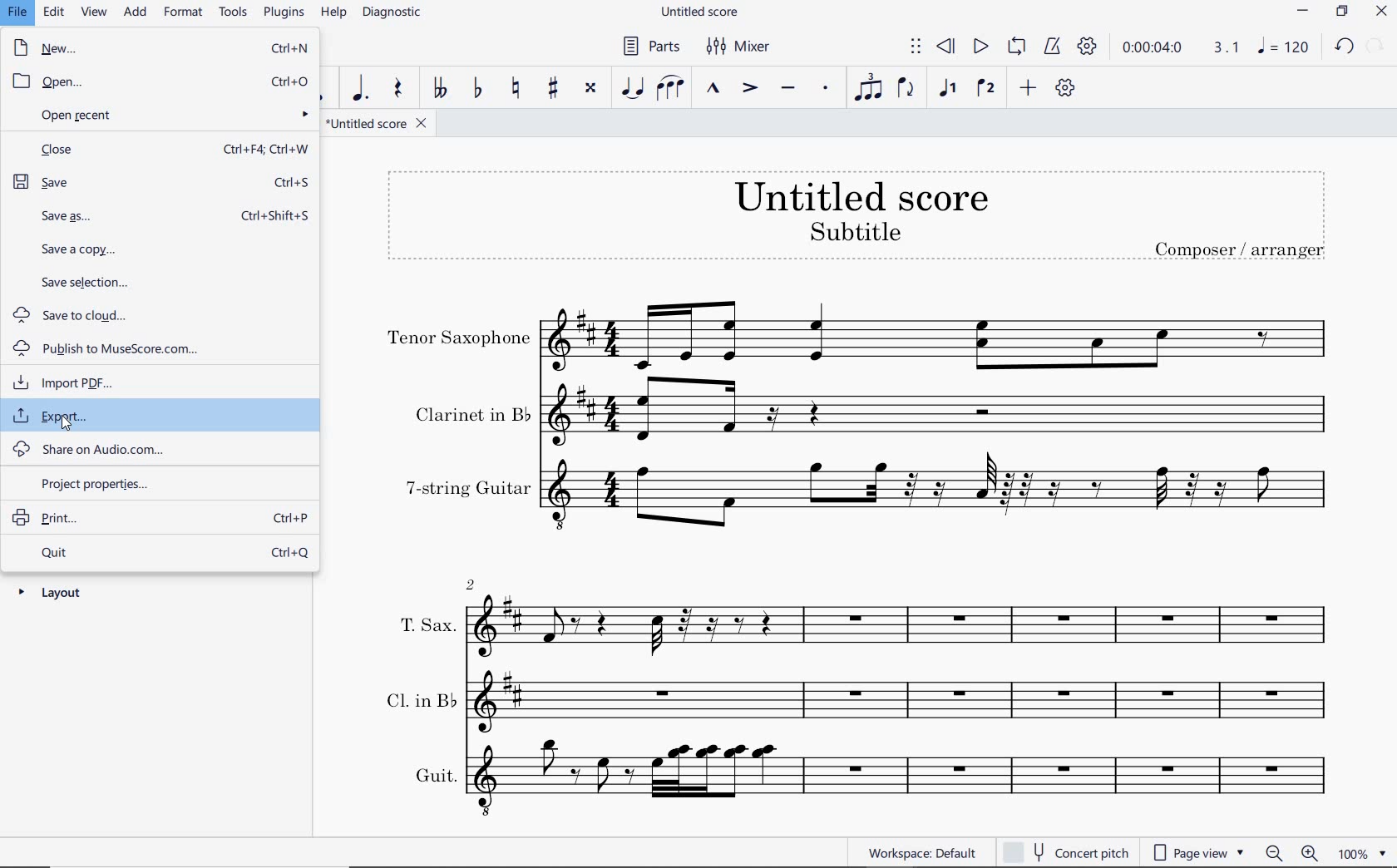 This screenshot has height=868, width=1397. Describe the element at coordinates (1341, 12) in the screenshot. I see `RESTORE DOWN` at that location.